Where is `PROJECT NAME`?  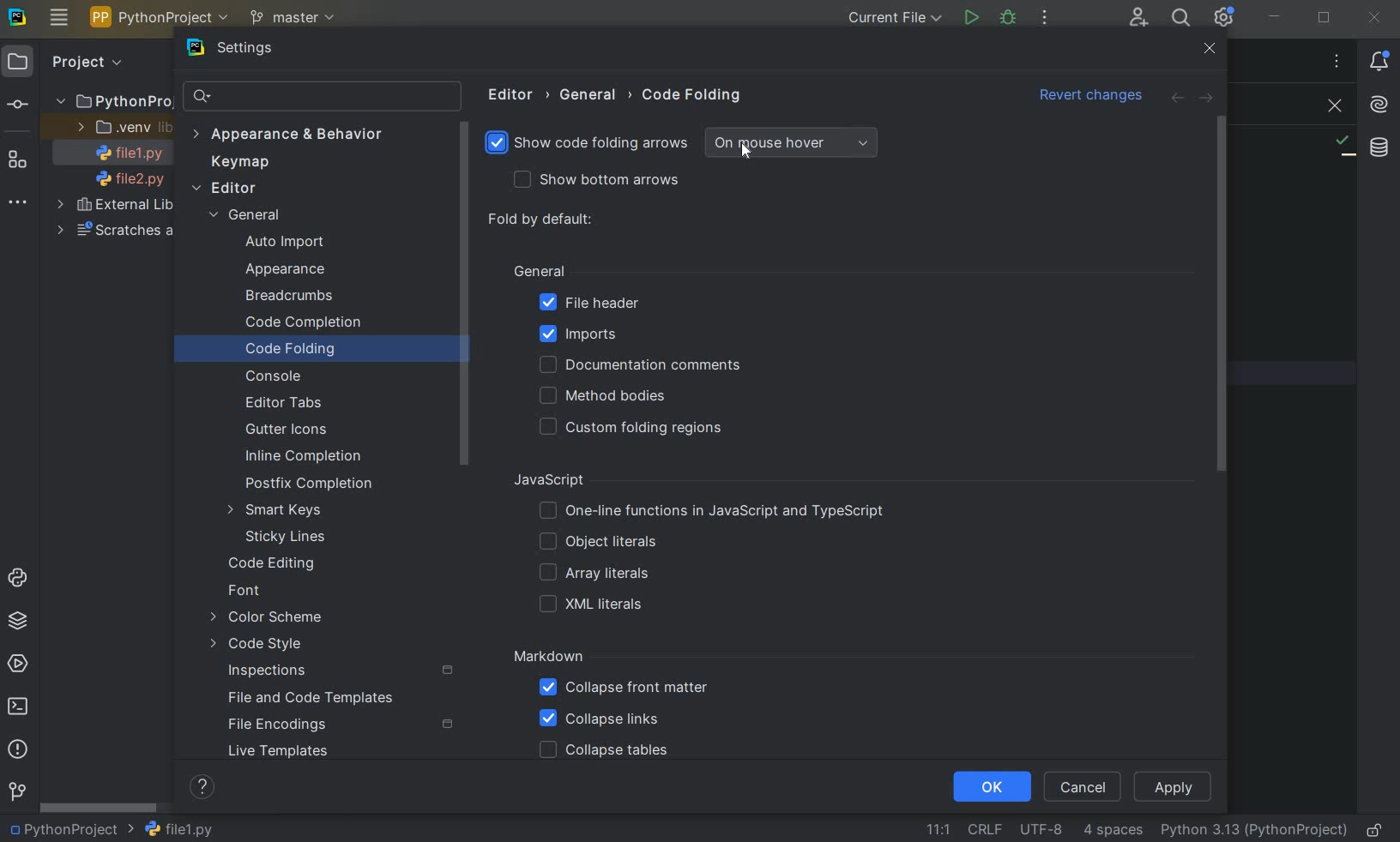 PROJECT NAME is located at coordinates (70, 830).